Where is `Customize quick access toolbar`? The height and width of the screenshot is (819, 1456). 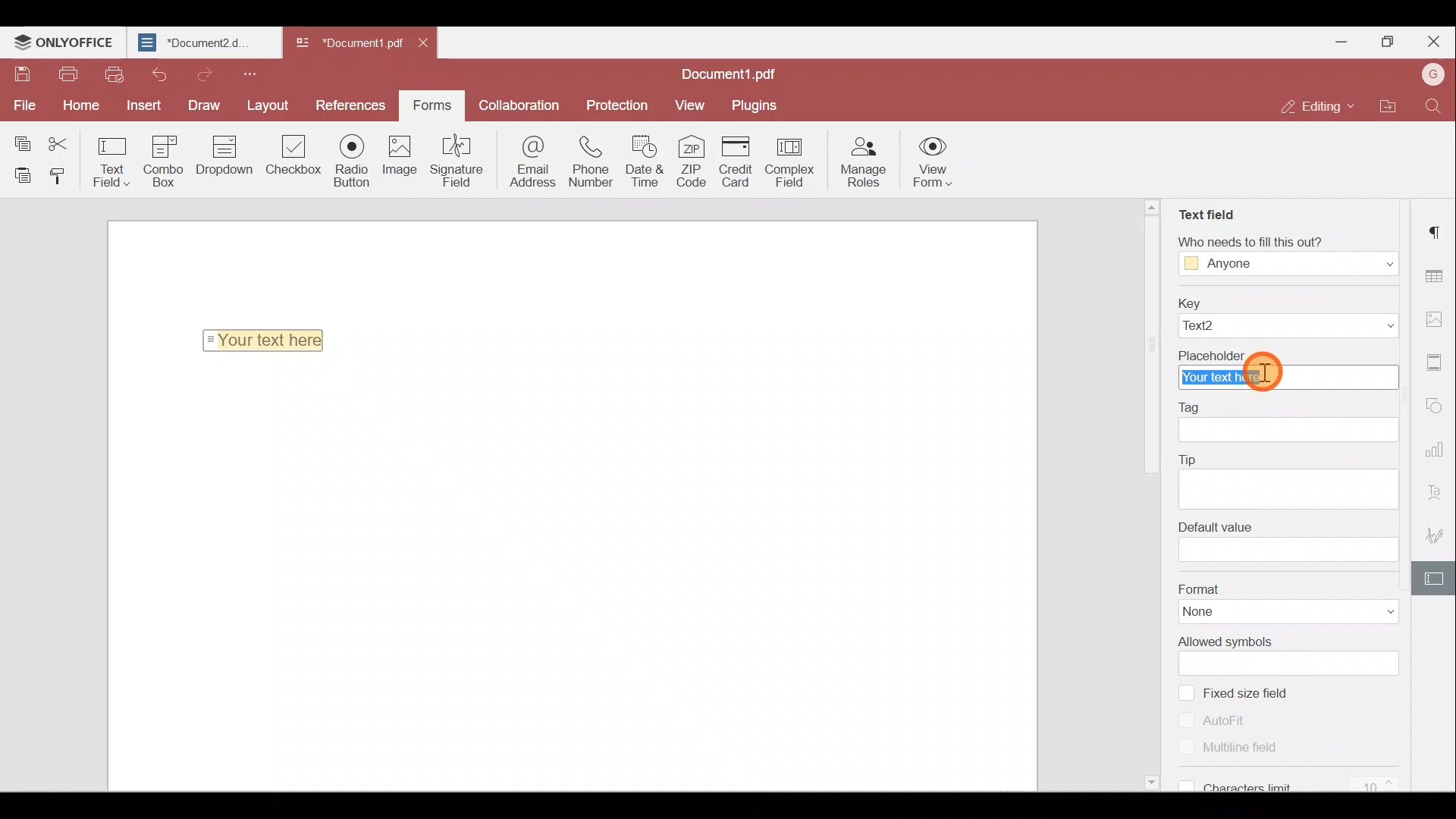
Customize quick access toolbar is located at coordinates (255, 73).